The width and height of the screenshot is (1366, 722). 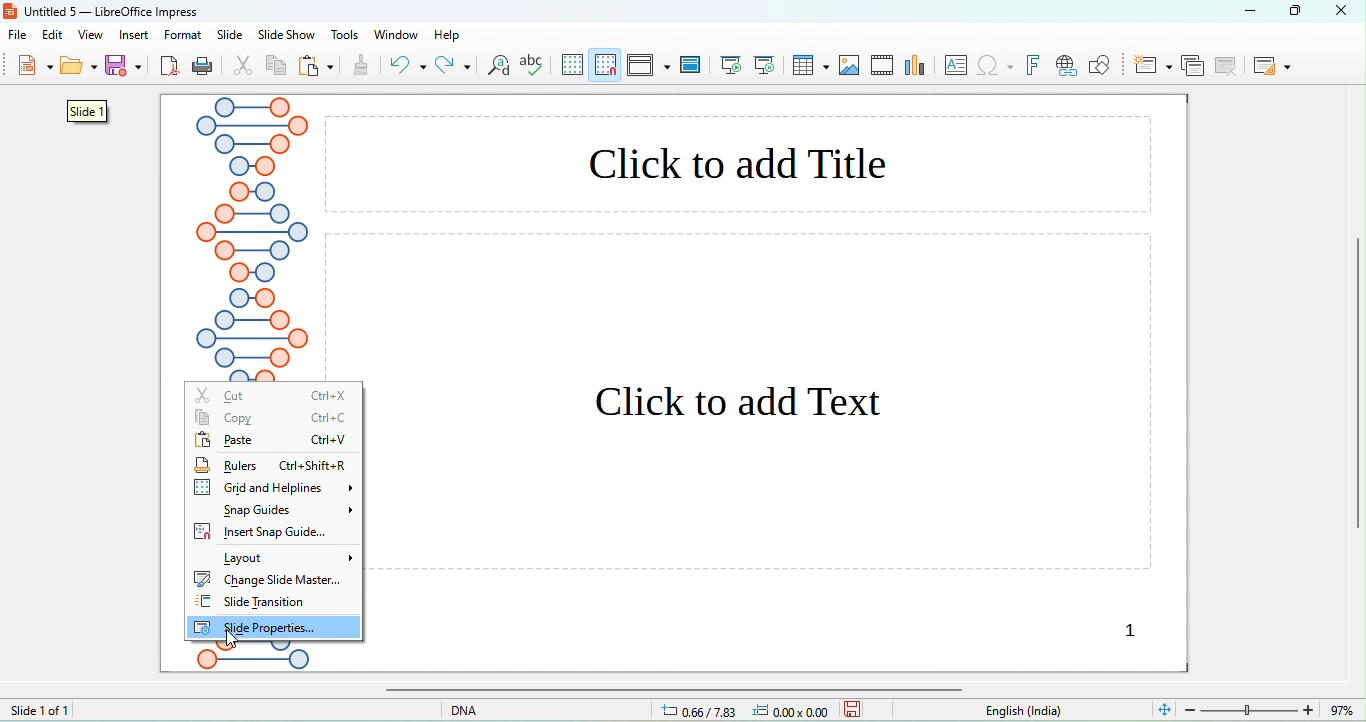 What do you see at coordinates (850, 66) in the screenshot?
I see `chart` at bounding box center [850, 66].